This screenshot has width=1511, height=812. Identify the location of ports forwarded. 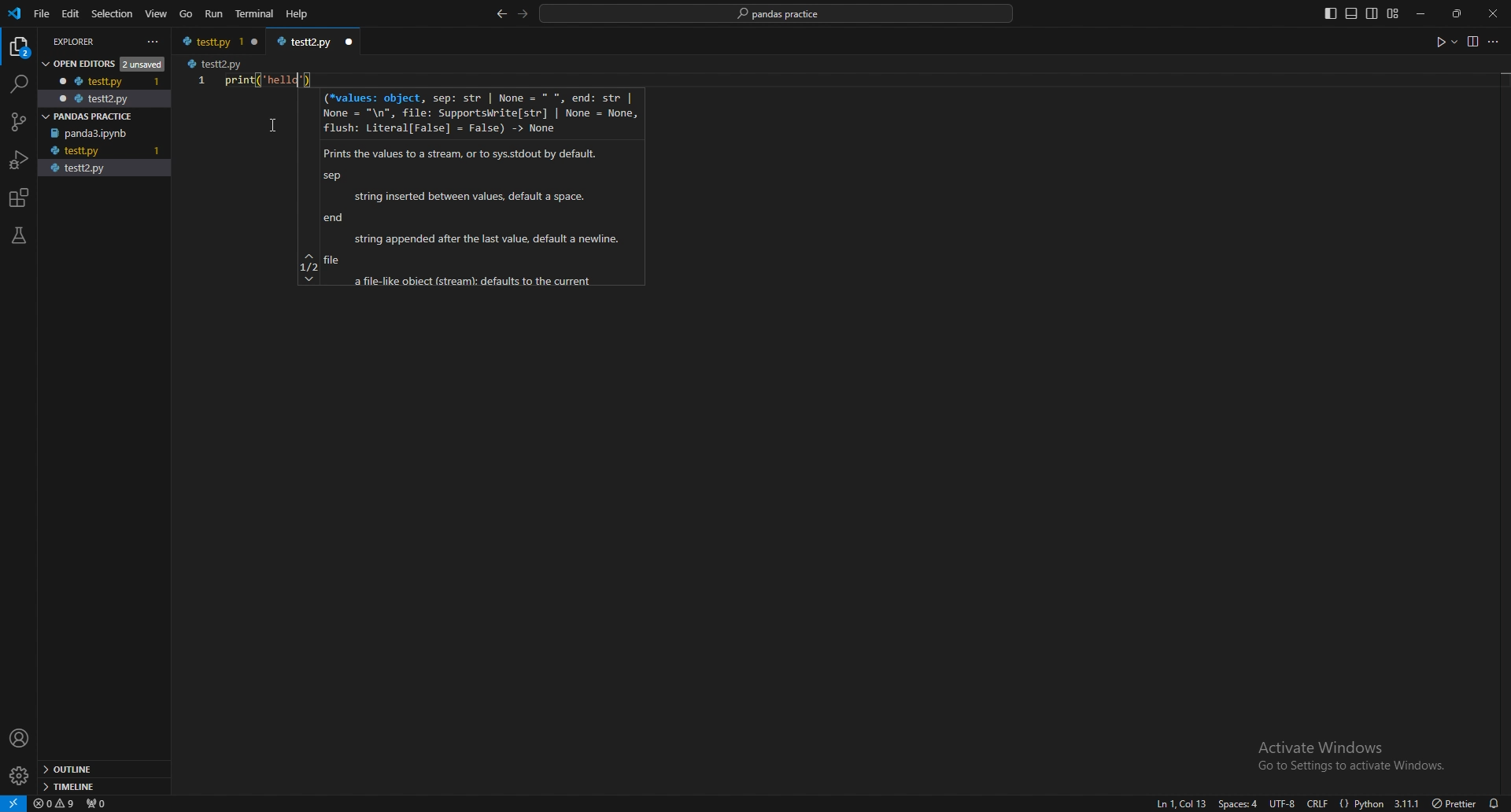
(95, 802).